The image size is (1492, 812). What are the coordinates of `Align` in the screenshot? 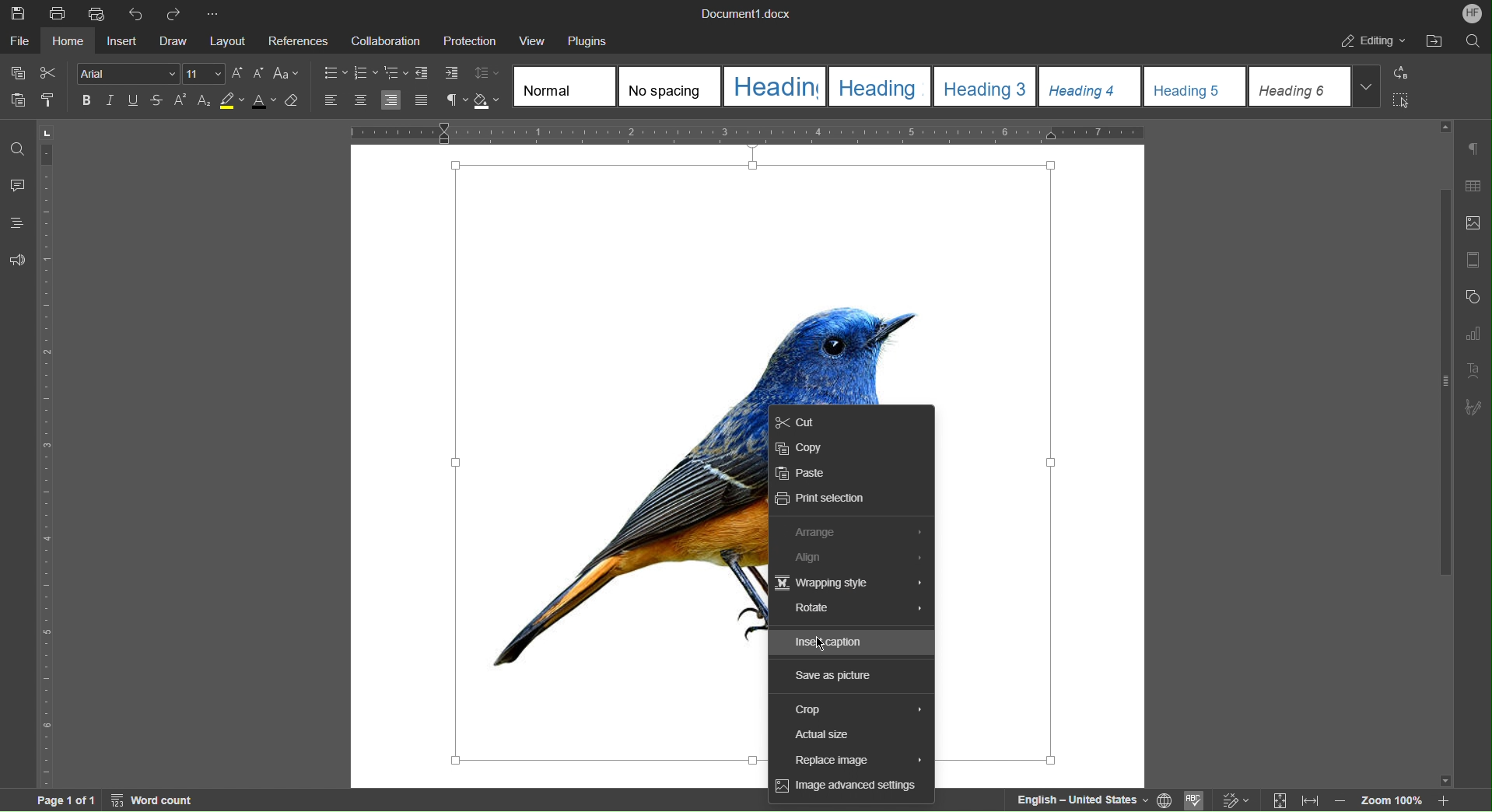 It's located at (851, 558).